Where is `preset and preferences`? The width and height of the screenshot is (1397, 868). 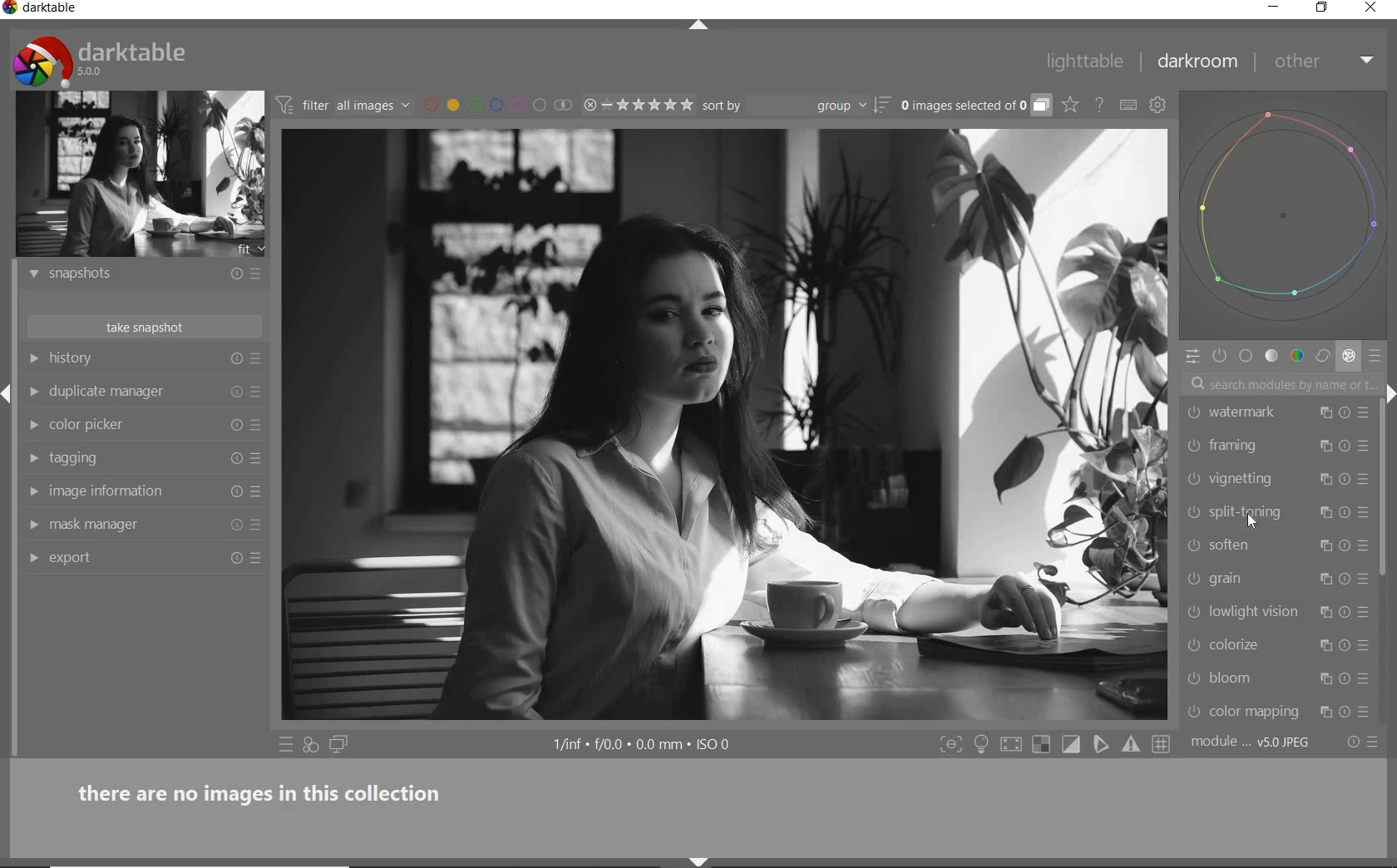
preset and preferences is located at coordinates (1364, 416).